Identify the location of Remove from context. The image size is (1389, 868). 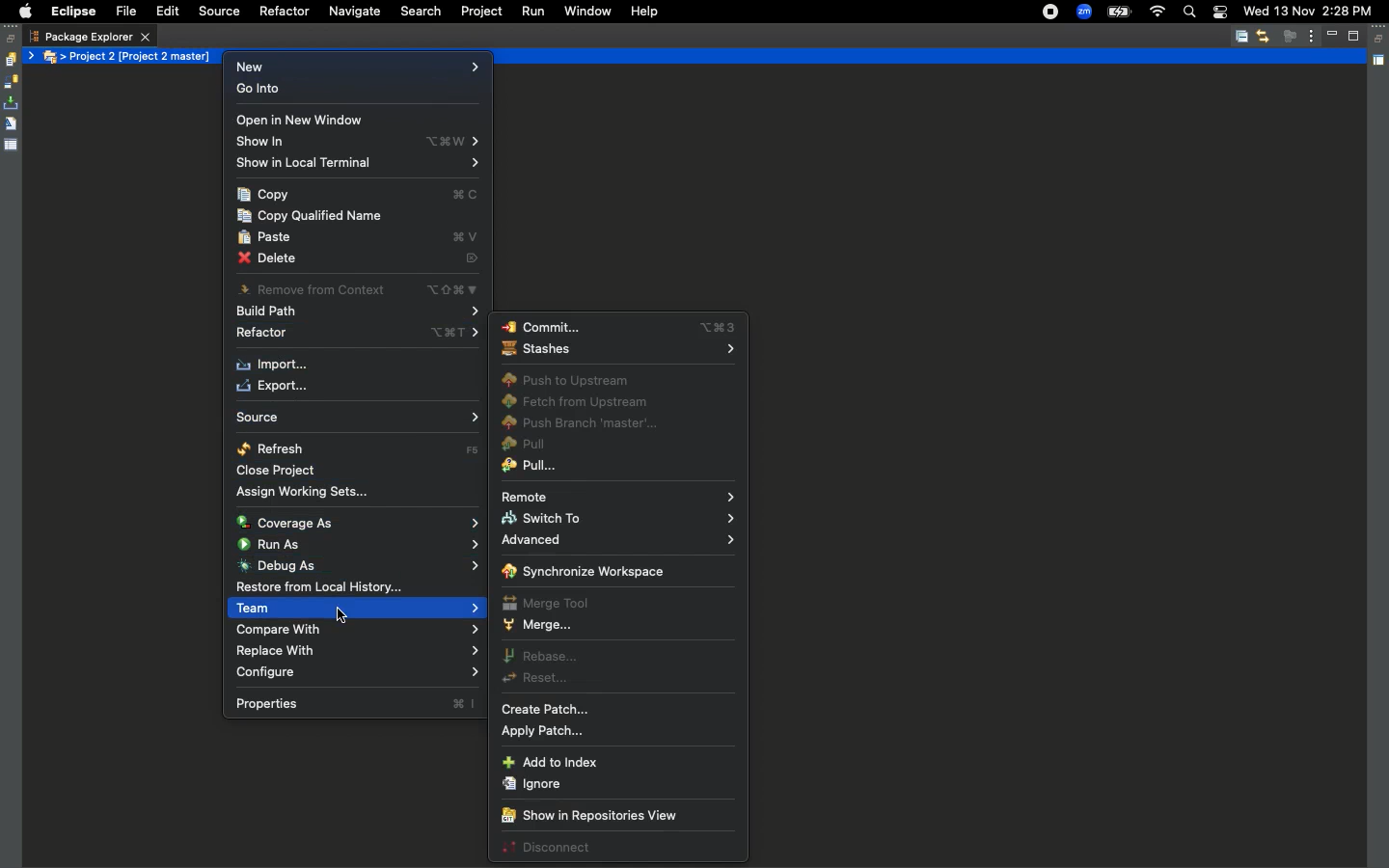
(364, 290).